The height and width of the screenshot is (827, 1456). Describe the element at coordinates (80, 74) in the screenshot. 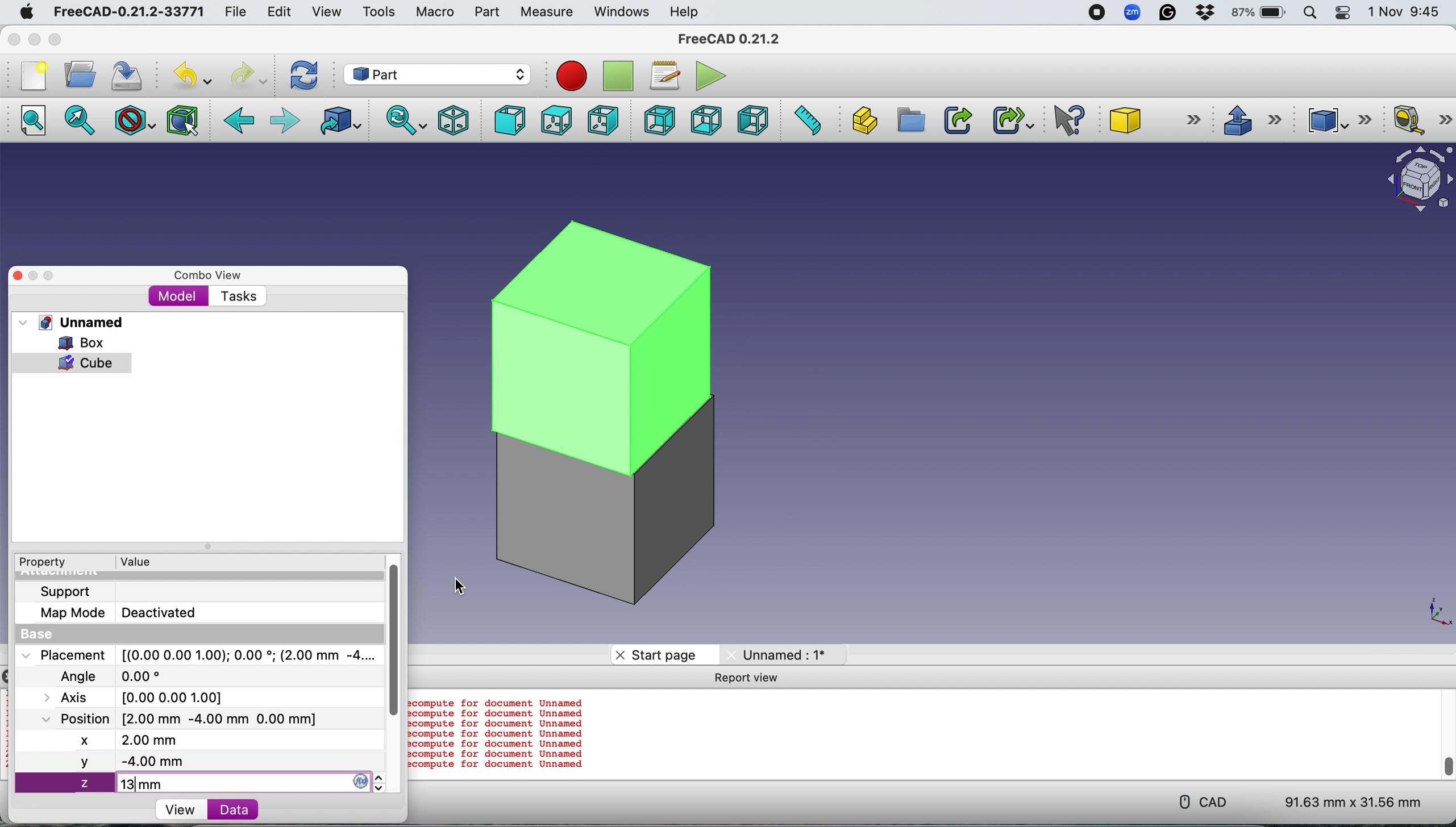

I see `Open` at that location.